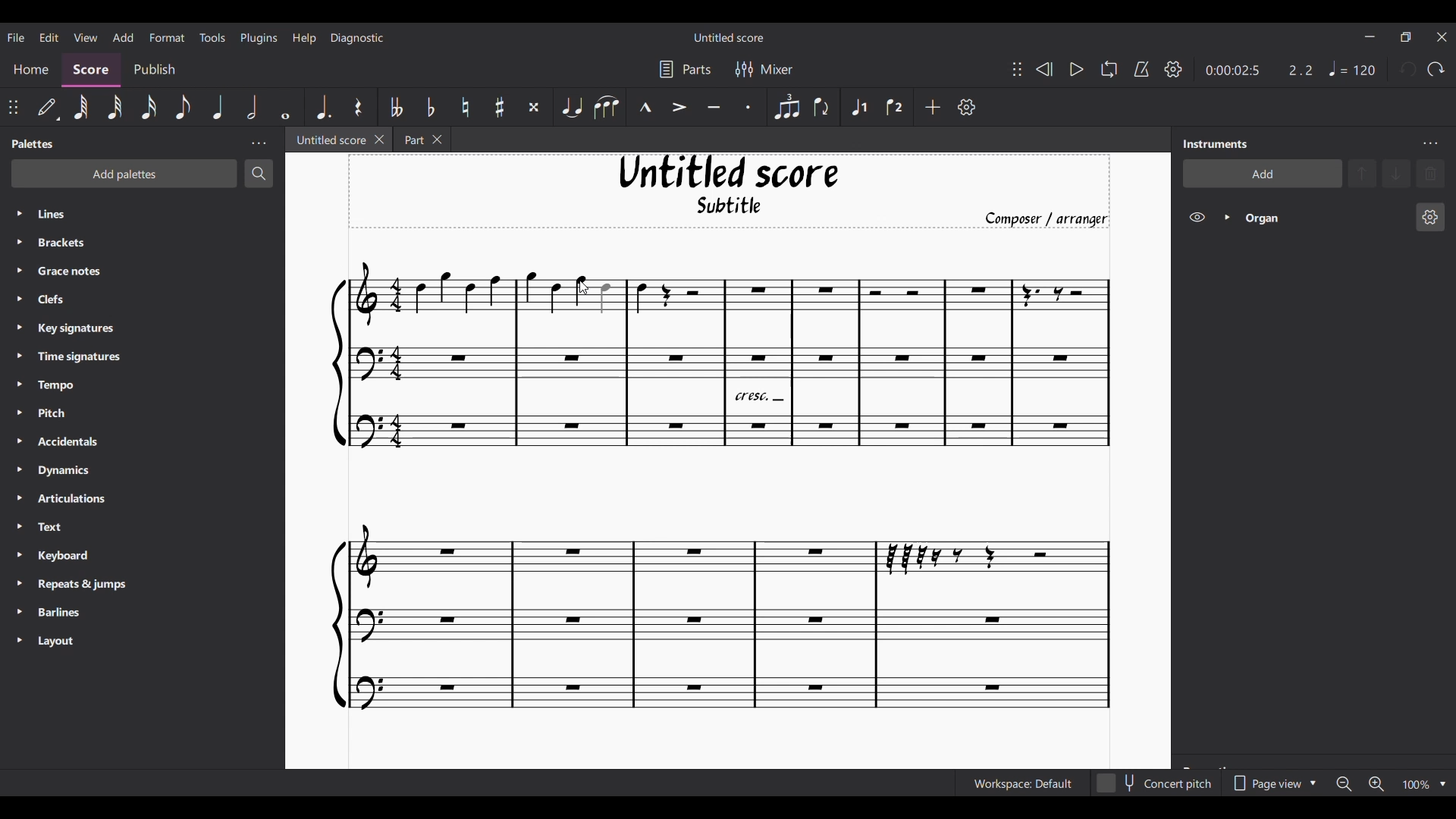  What do you see at coordinates (252, 108) in the screenshot?
I see `Half note` at bounding box center [252, 108].